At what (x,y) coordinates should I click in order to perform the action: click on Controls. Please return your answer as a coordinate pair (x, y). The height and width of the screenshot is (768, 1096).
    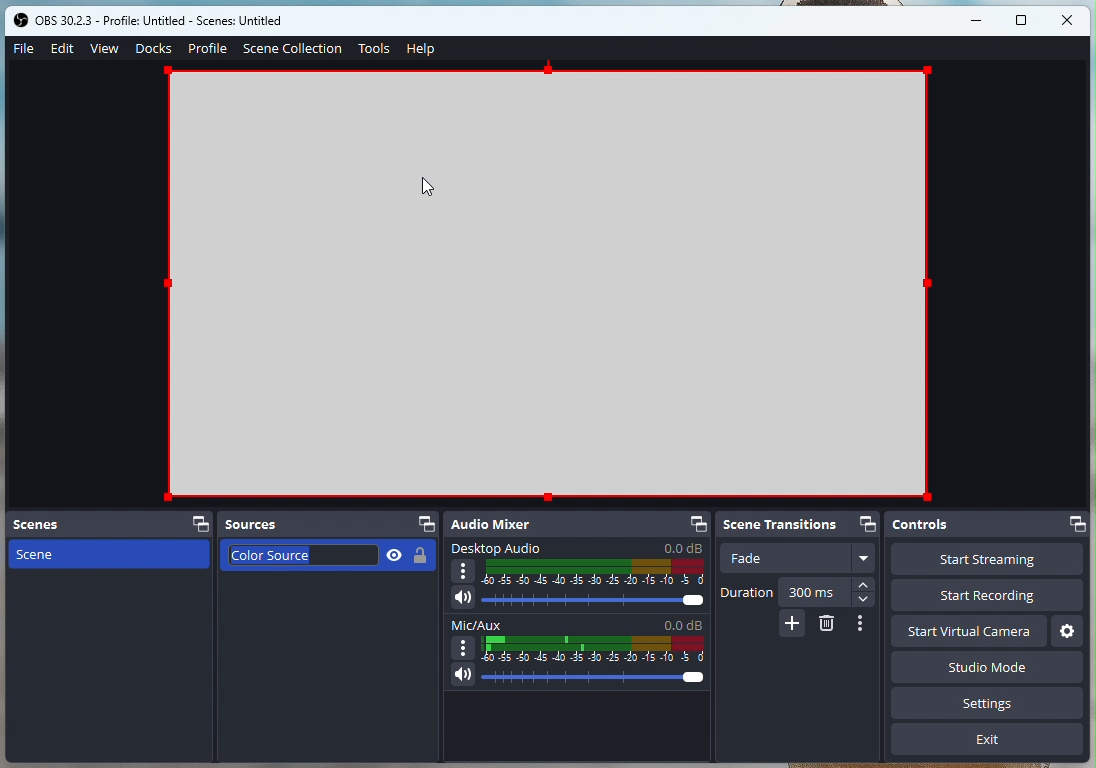
    Looking at the image, I should click on (988, 527).